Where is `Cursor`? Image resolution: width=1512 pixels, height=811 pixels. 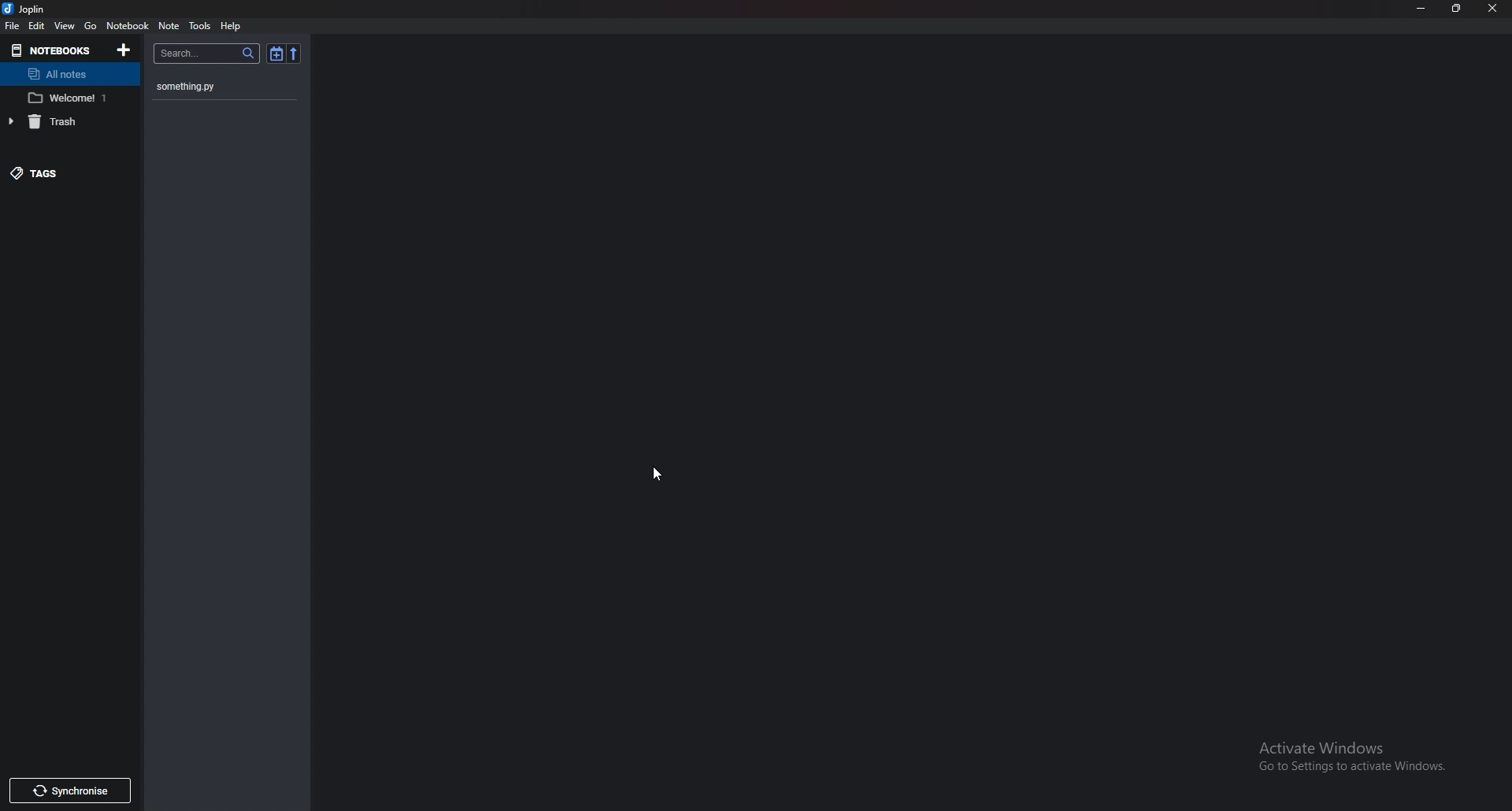 Cursor is located at coordinates (658, 472).